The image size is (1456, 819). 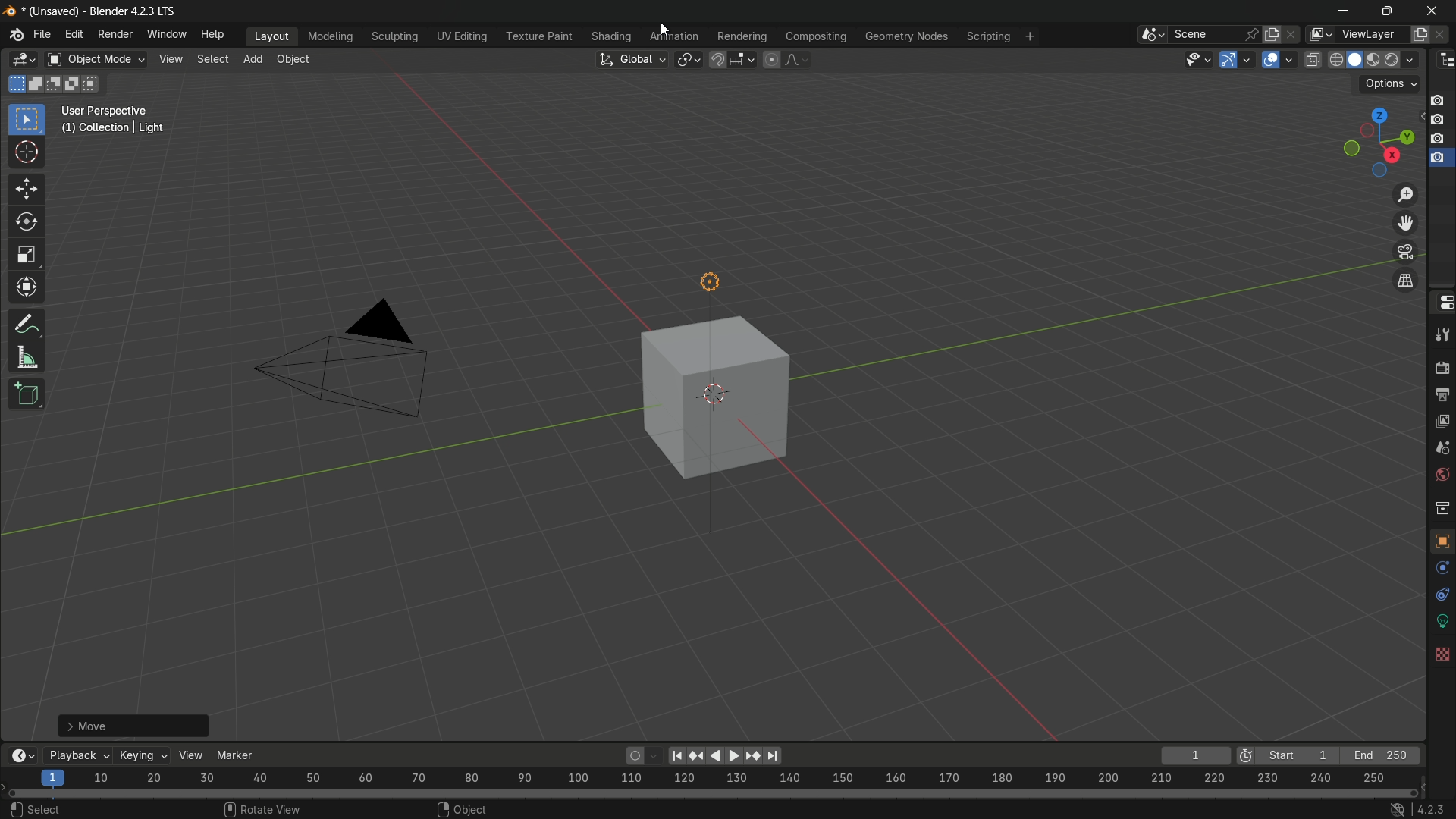 I want to click on material, so click(x=1439, y=702).